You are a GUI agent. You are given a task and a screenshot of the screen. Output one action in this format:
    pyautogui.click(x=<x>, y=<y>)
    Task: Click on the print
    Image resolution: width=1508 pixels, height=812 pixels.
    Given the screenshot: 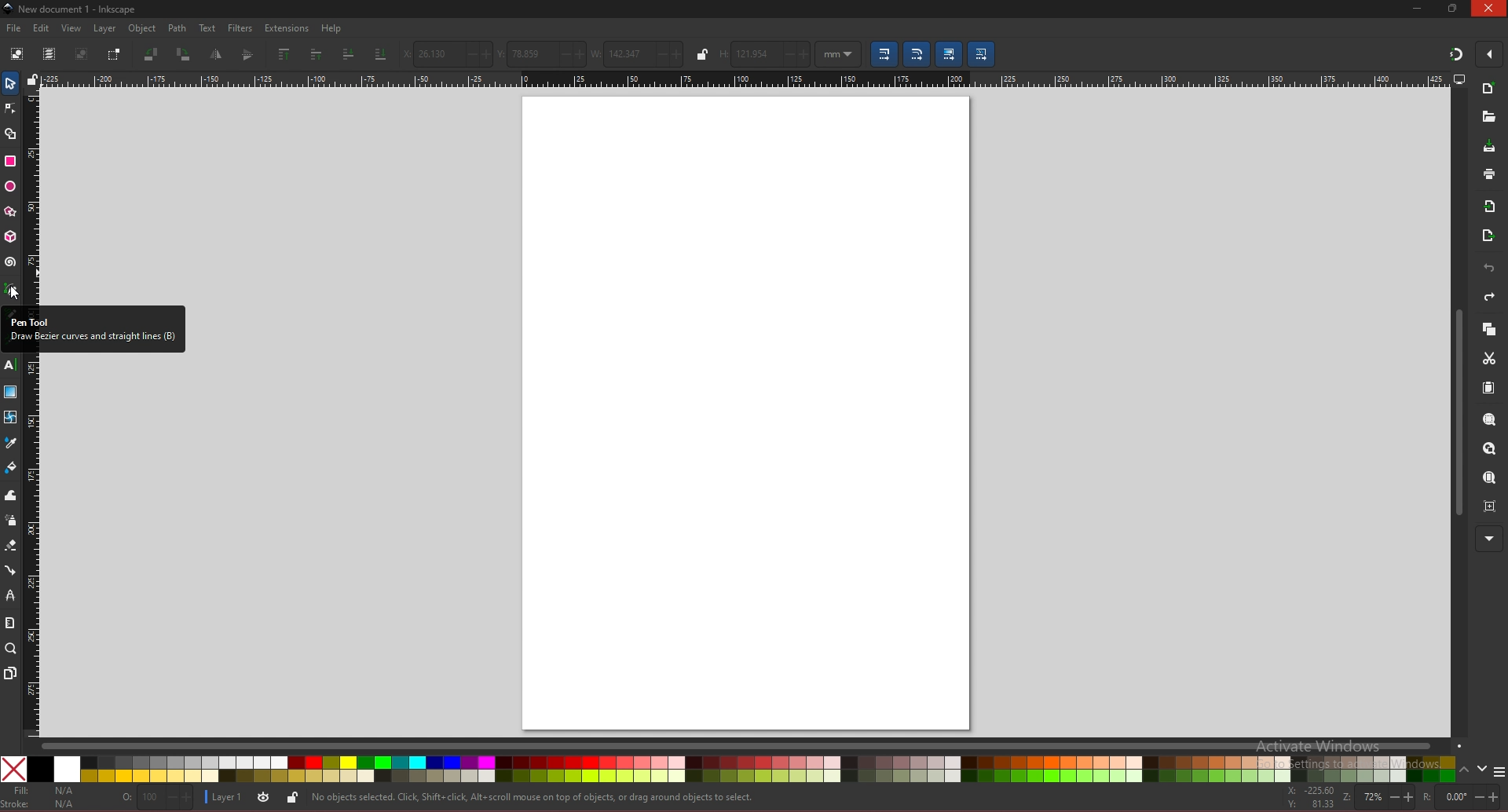 What is the action you would take?
    pyautogui.click(x=1489, y=174)
    